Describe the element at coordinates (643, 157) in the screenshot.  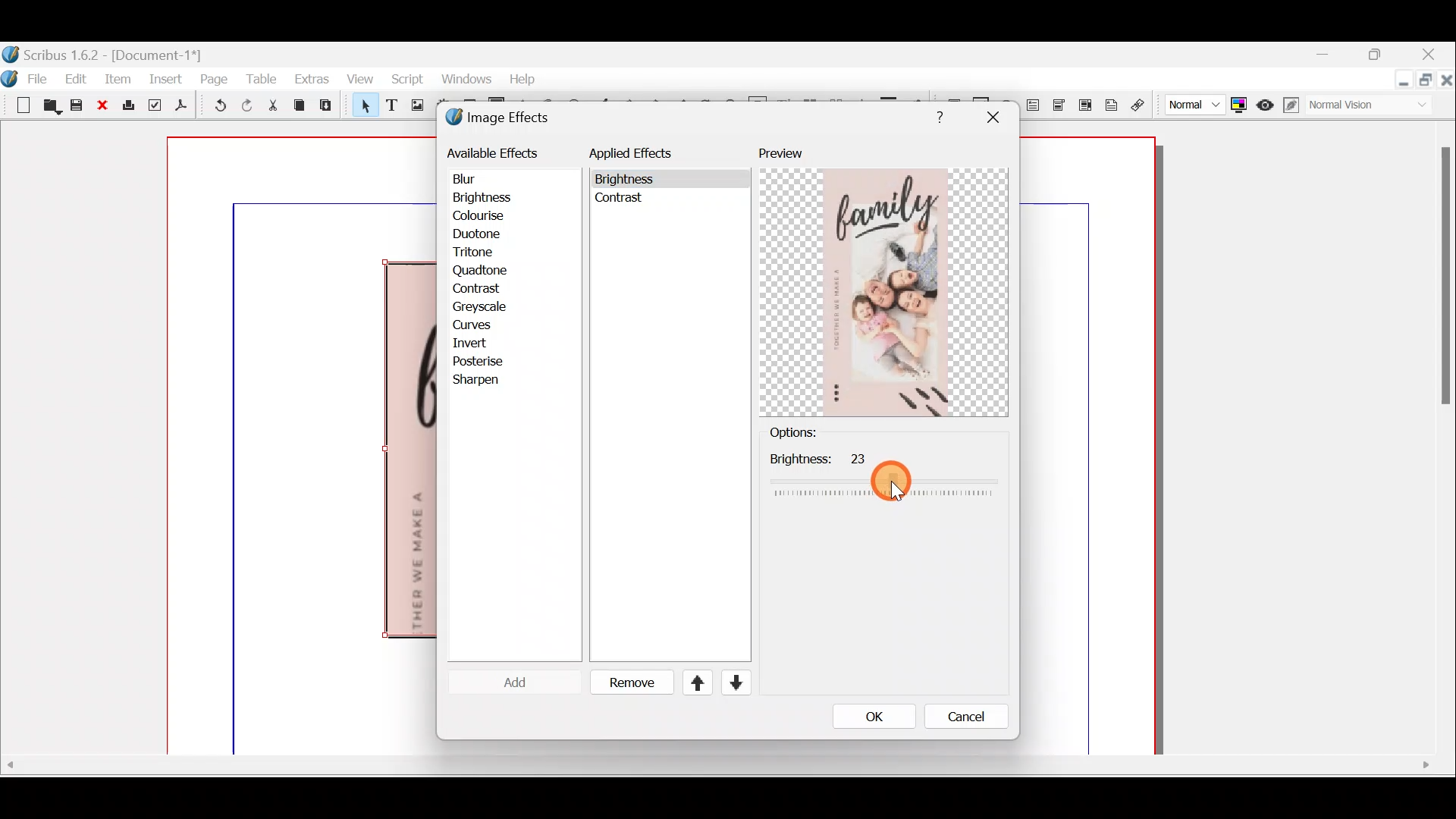
I see `Applied effects` at that location.